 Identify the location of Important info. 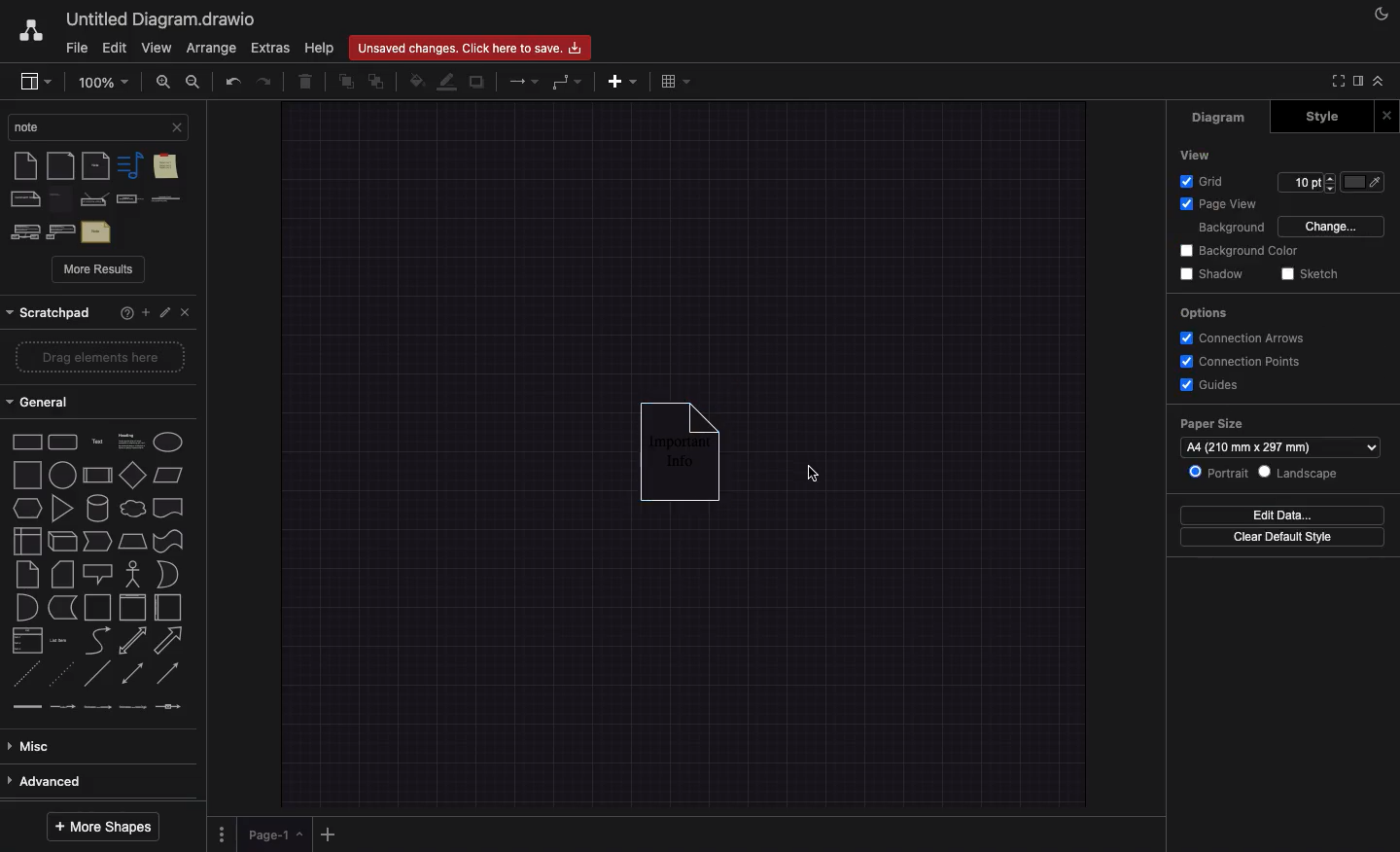
(670, 455).